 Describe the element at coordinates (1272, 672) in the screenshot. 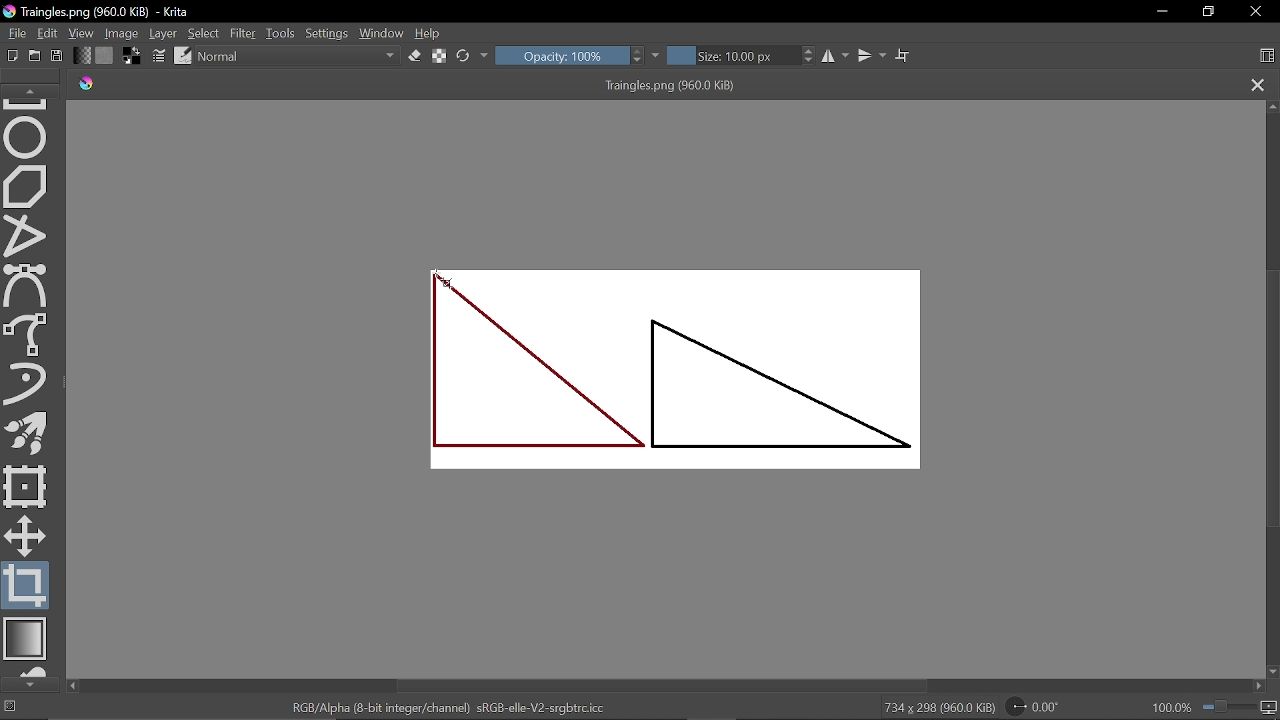

I see `Move down` at that location.